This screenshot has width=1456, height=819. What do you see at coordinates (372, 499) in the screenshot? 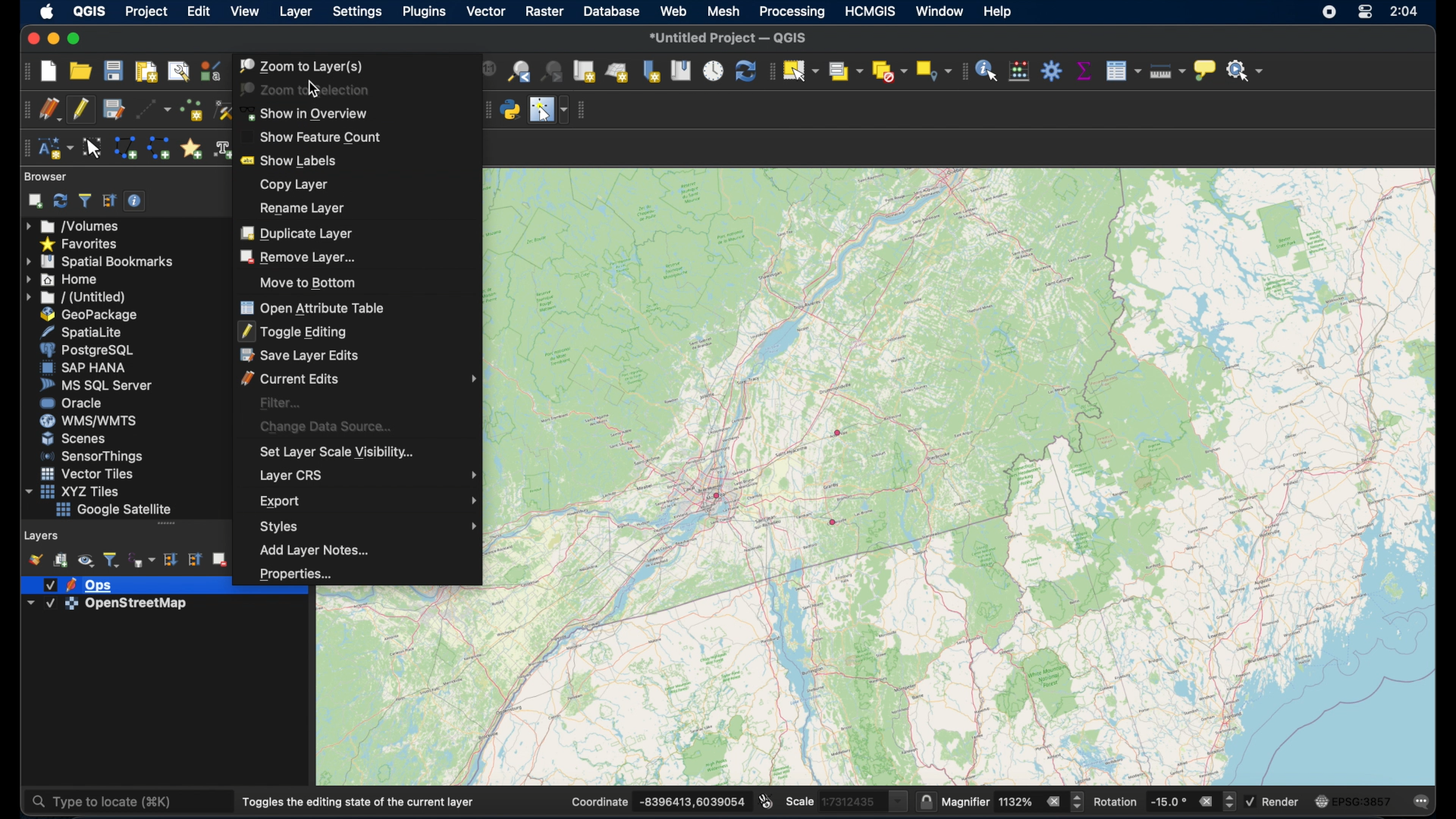
I see `export menu` at bounding box center [372, 499].